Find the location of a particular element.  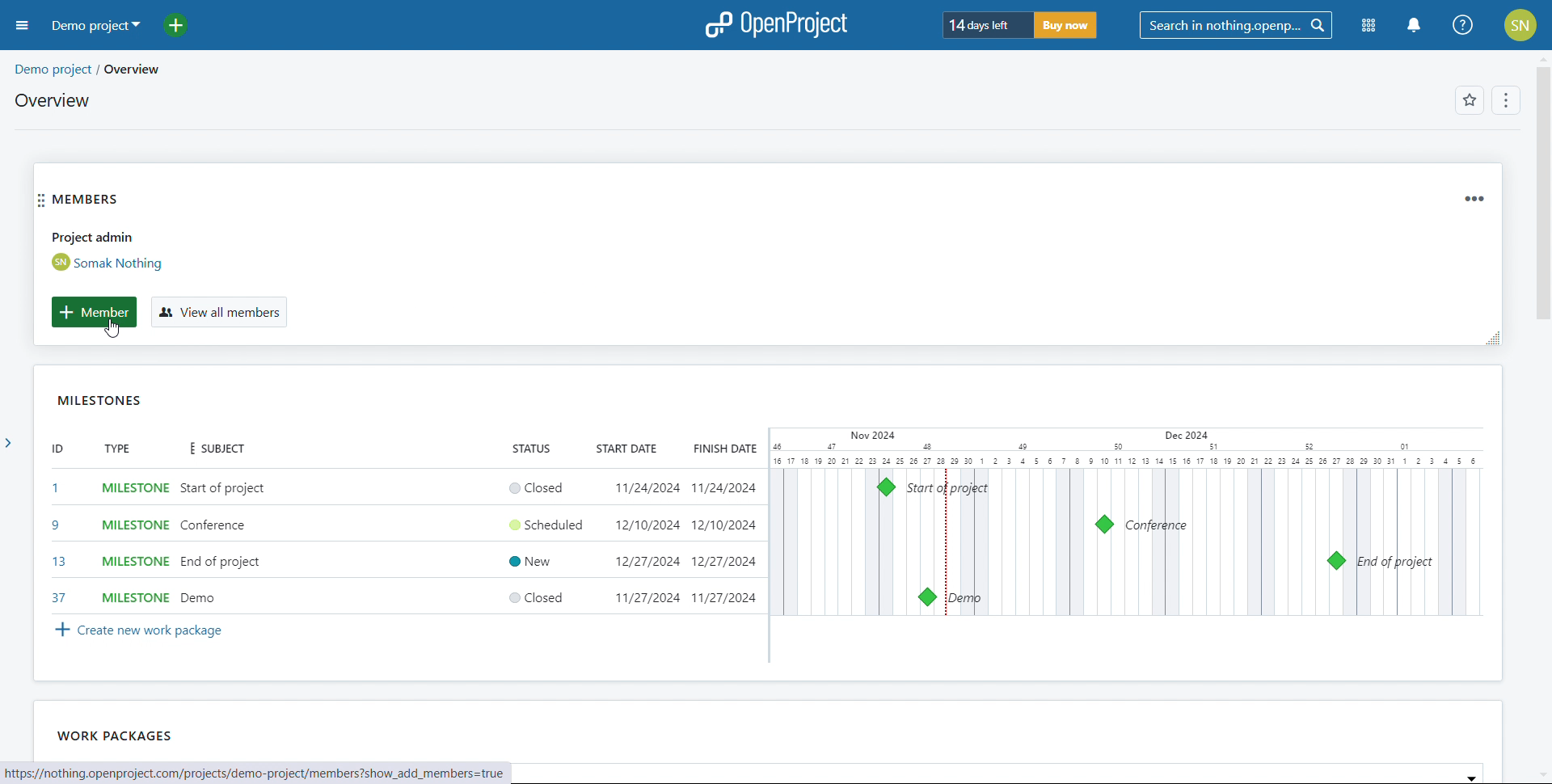

set subject is located at coordinates (224, 488).